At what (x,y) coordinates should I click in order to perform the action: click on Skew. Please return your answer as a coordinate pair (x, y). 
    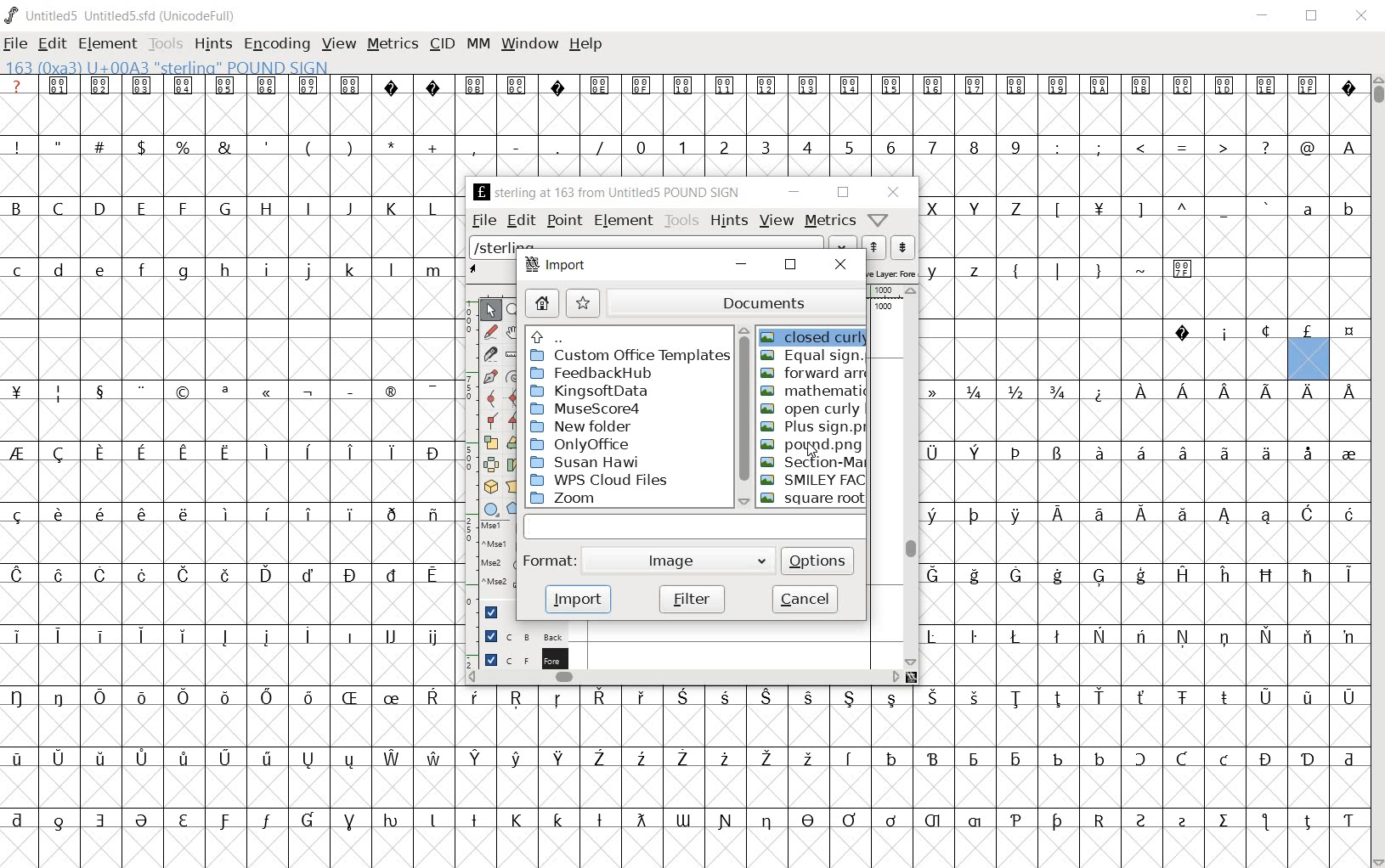
    Looking at the image, I should click on (513, 465).